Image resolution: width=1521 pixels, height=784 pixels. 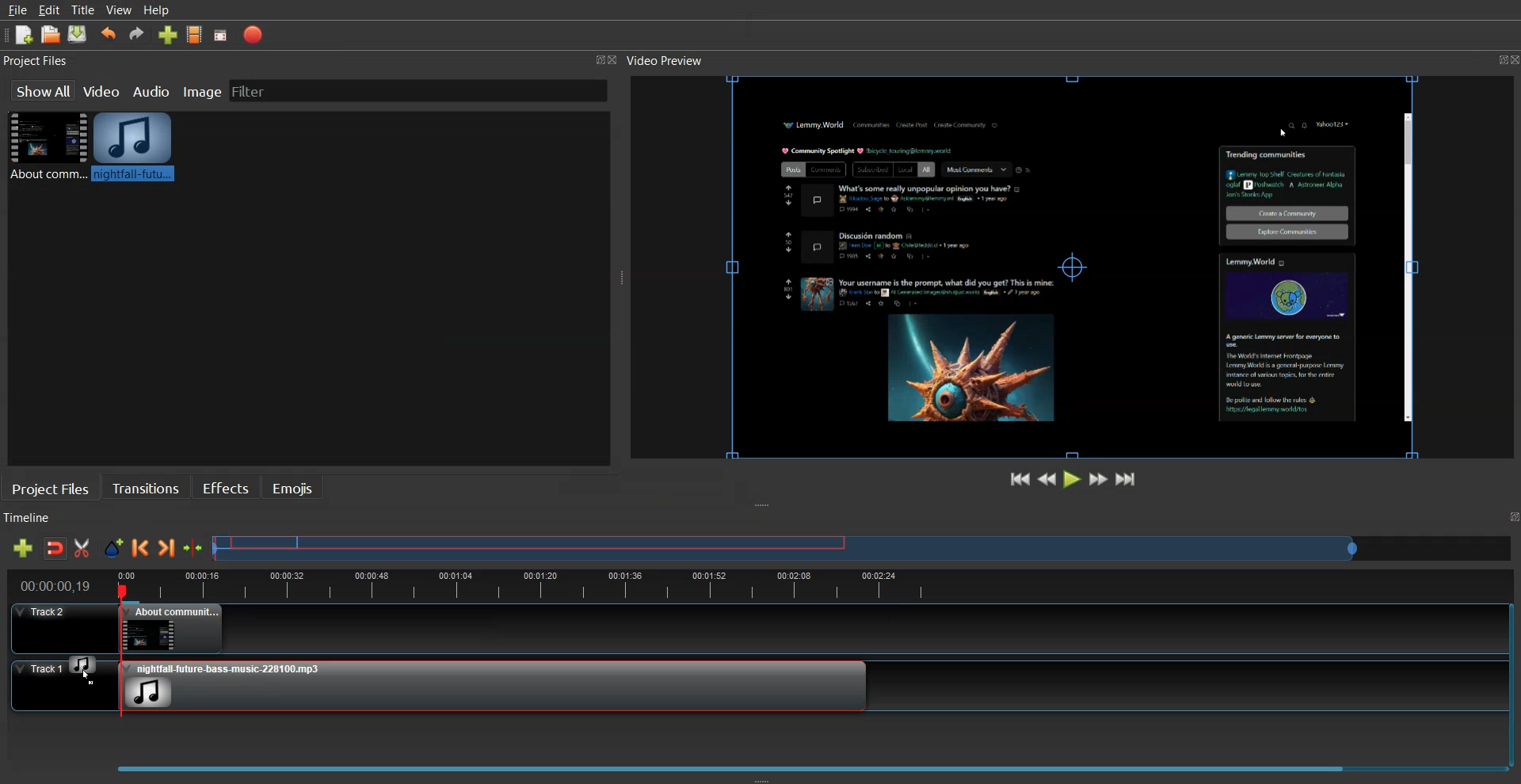 What do you see at coordinates (294, 487) in the screenshot?
I see `Emojis` at bounding box center [294, 487].